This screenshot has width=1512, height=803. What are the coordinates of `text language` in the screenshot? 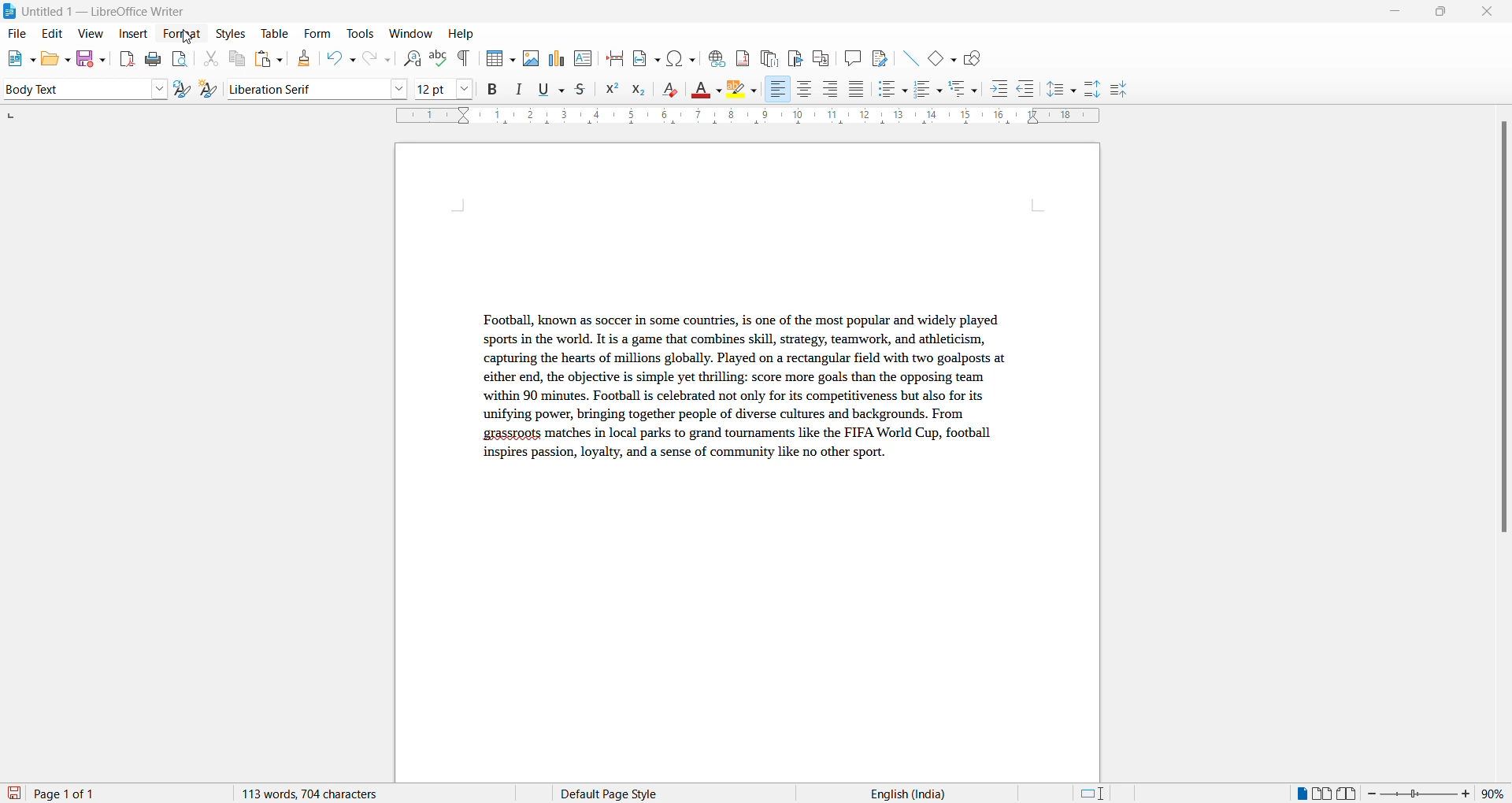 It's located at (902, 794).